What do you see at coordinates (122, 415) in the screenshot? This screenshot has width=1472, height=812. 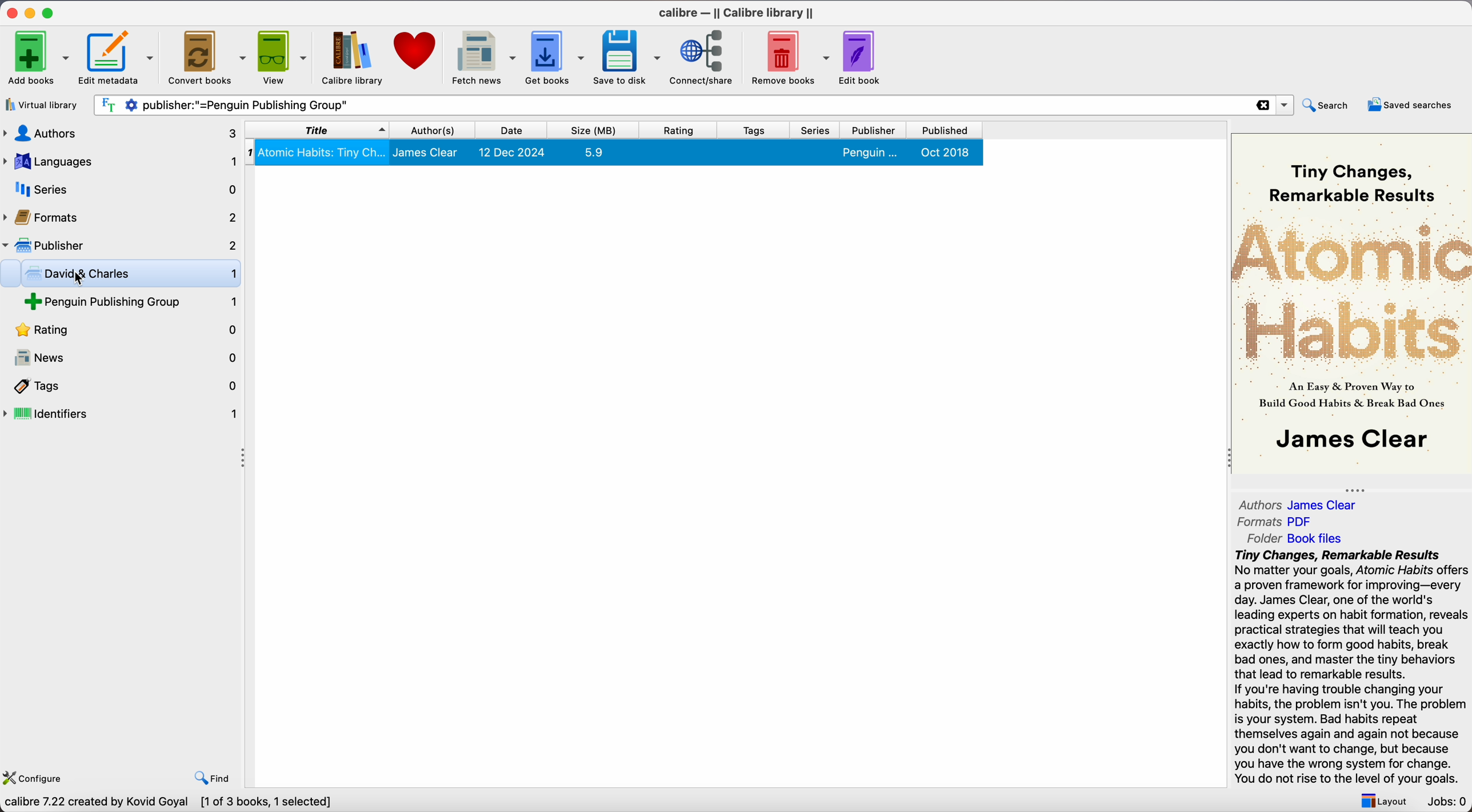 I see `identifiers` at bounding box center [122, 415].